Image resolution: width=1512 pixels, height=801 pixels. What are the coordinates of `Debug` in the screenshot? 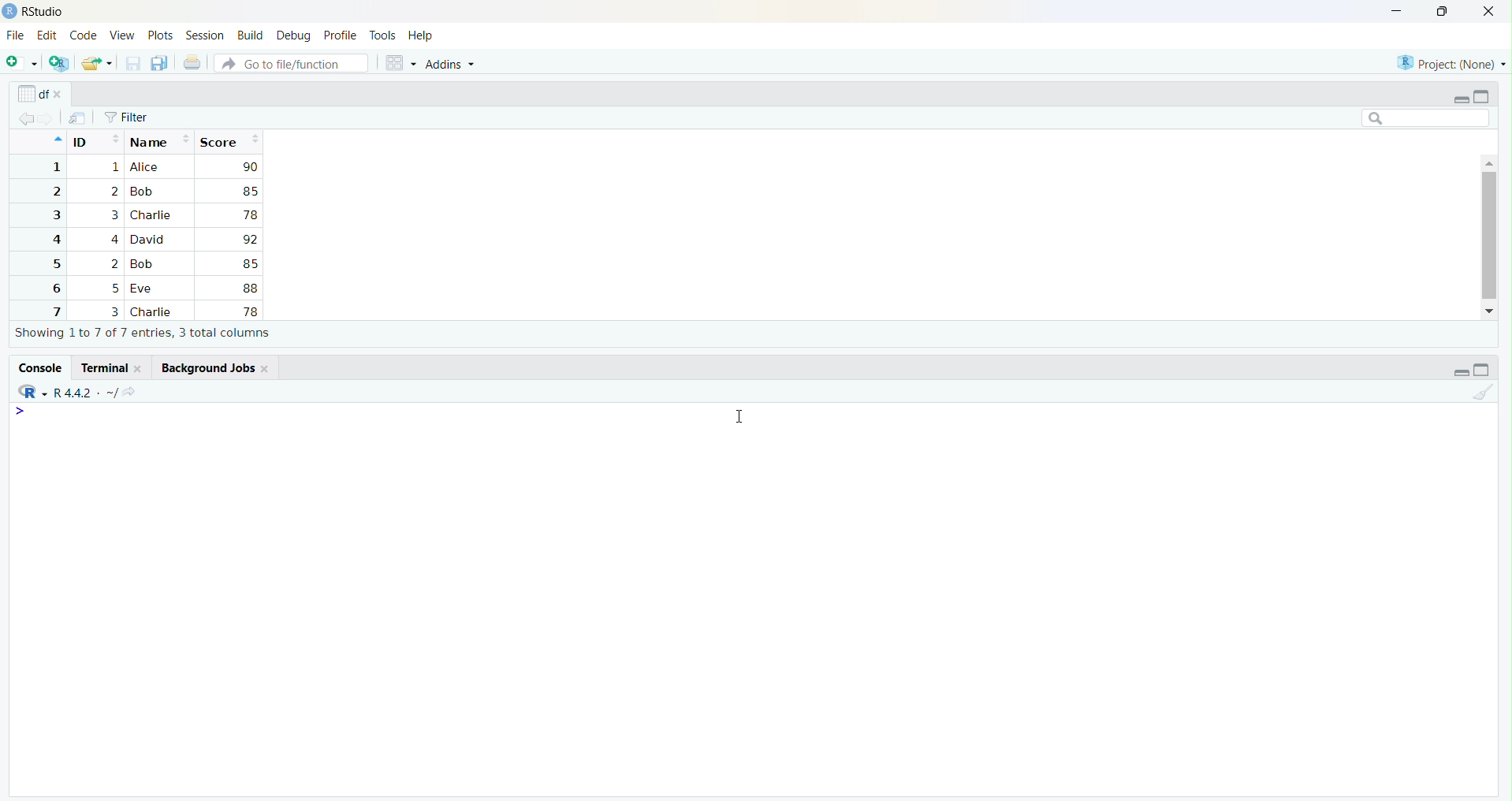 It's located at (295, 35).